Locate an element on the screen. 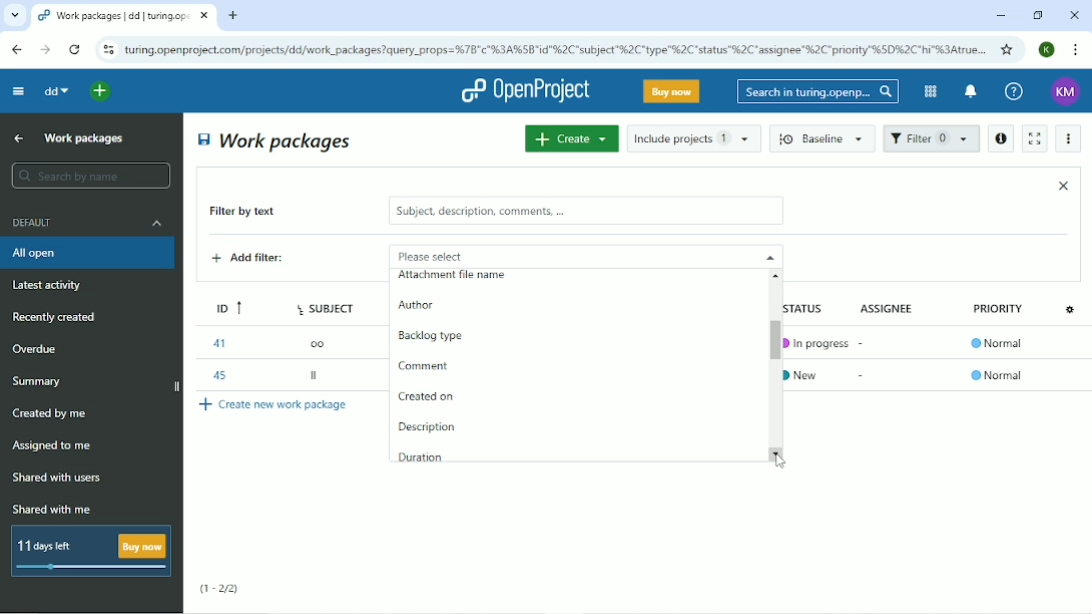 This screenshot has height=614, width=1092. Configure view is located at coordinates (1072, 308).